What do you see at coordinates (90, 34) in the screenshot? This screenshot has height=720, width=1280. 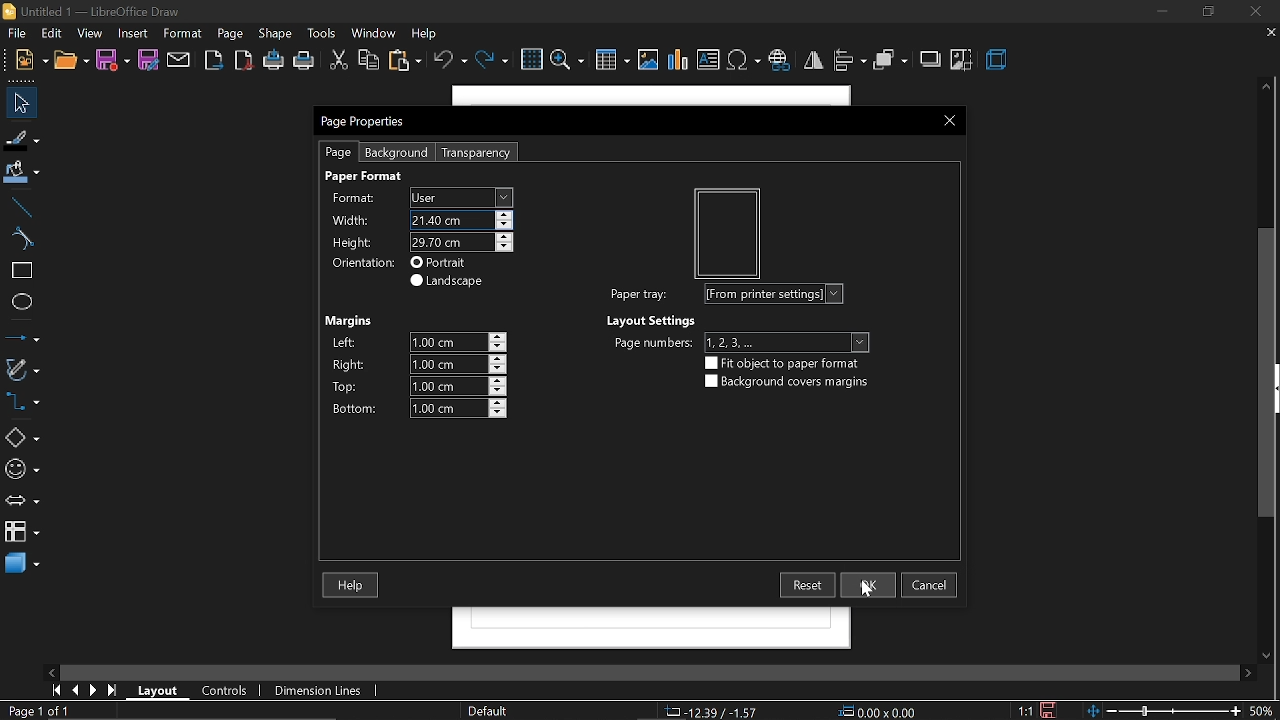 I see `view` at bounding box center [90, 34].